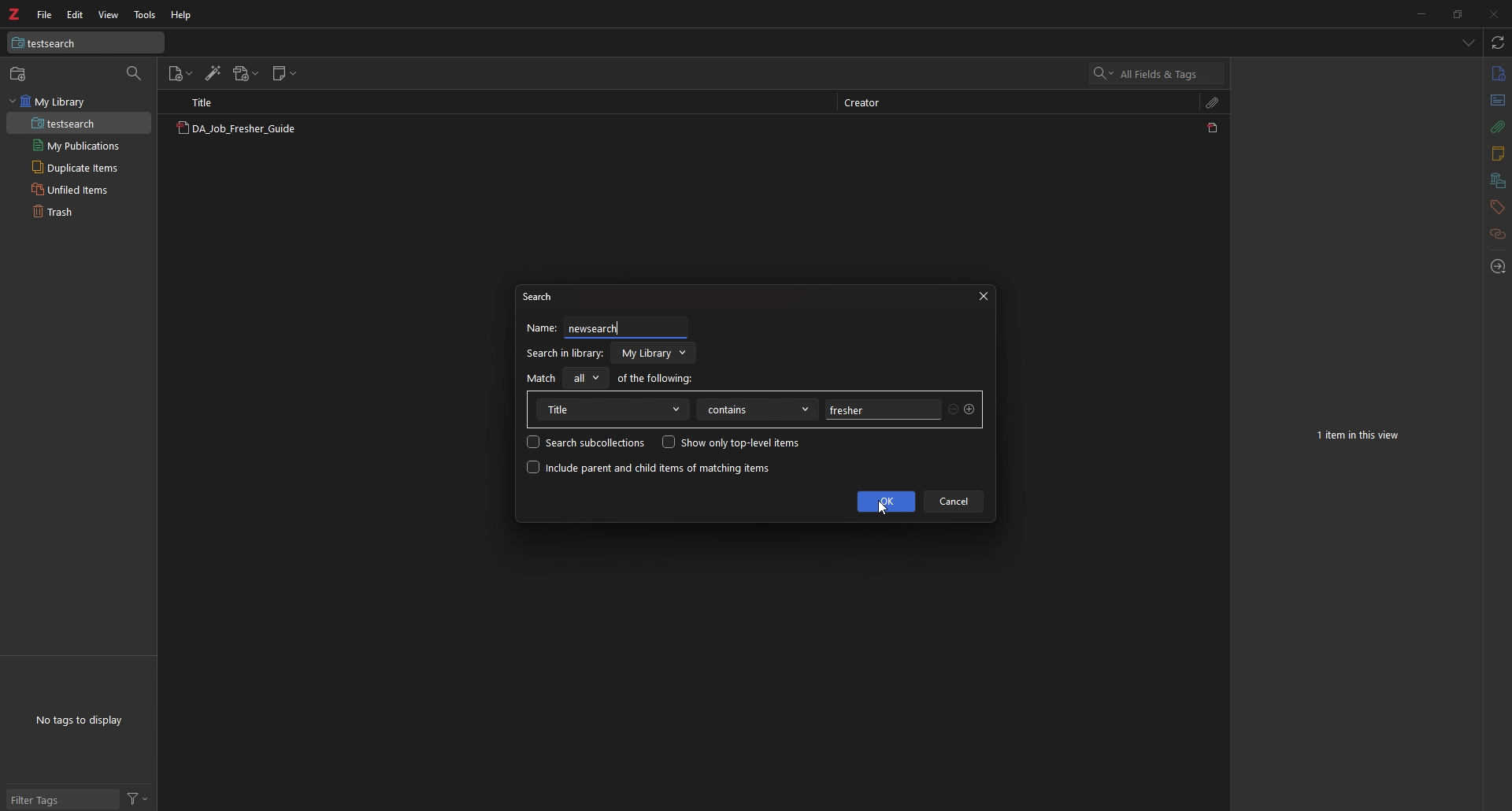  I want to click on duplicate items, so click(79, 167).